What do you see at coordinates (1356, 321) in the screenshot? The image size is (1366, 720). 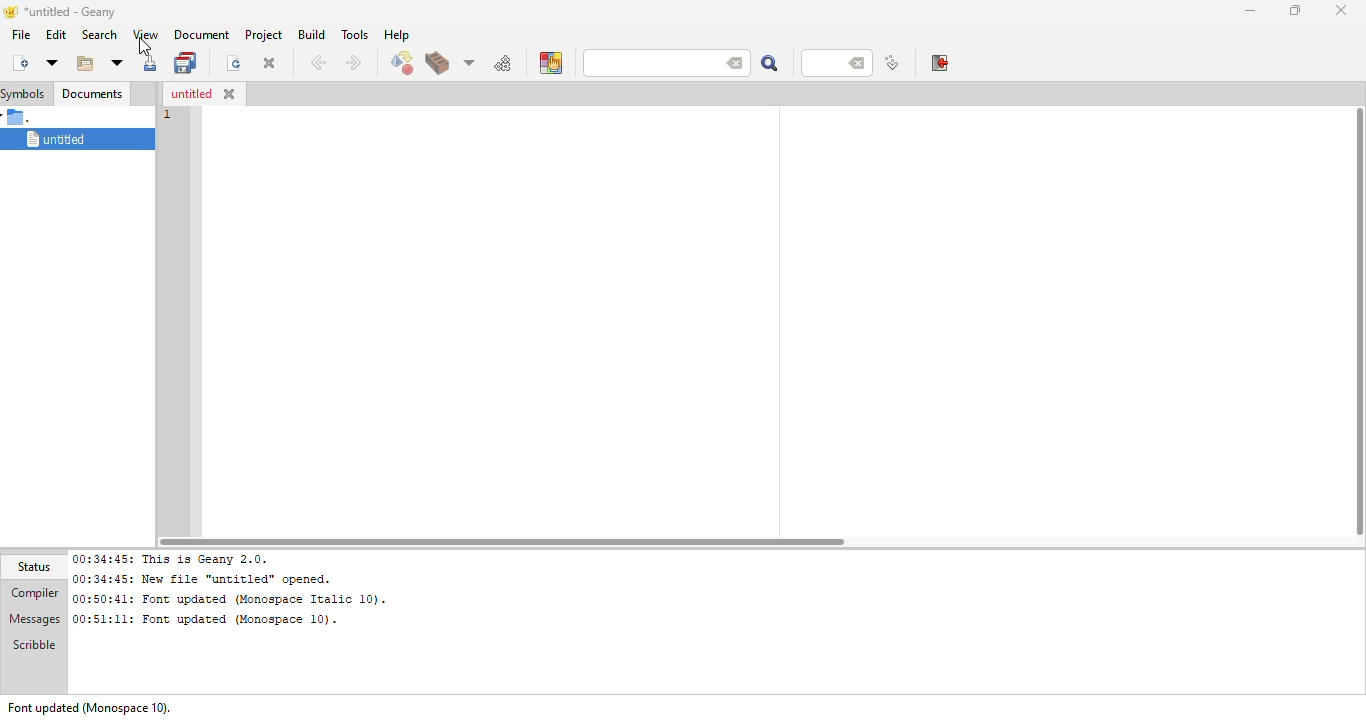 I see `vertical scroll bar` at bounding box center [1356, 321].